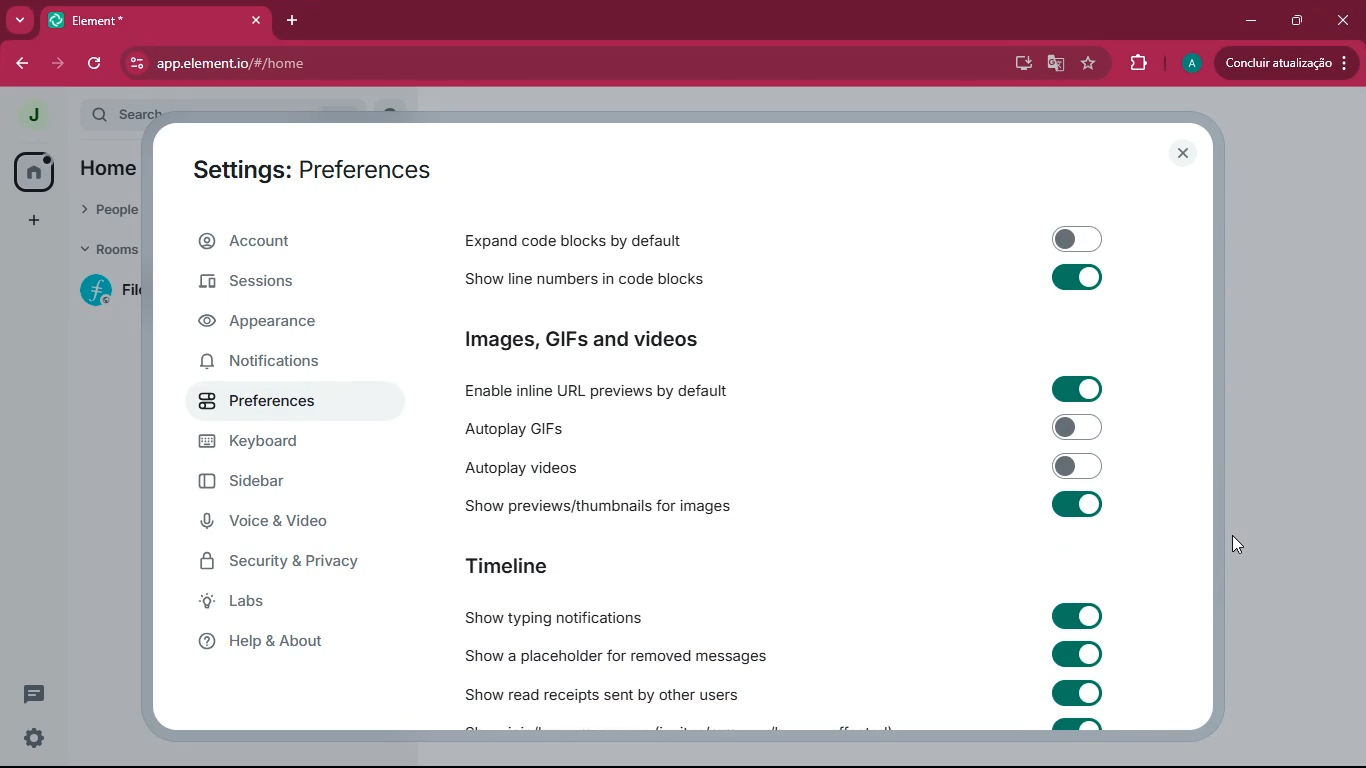  What do you see at coordinates (1239, 545) in the screenshot?
I see `mouse up` at bounding box center [1239, 545].